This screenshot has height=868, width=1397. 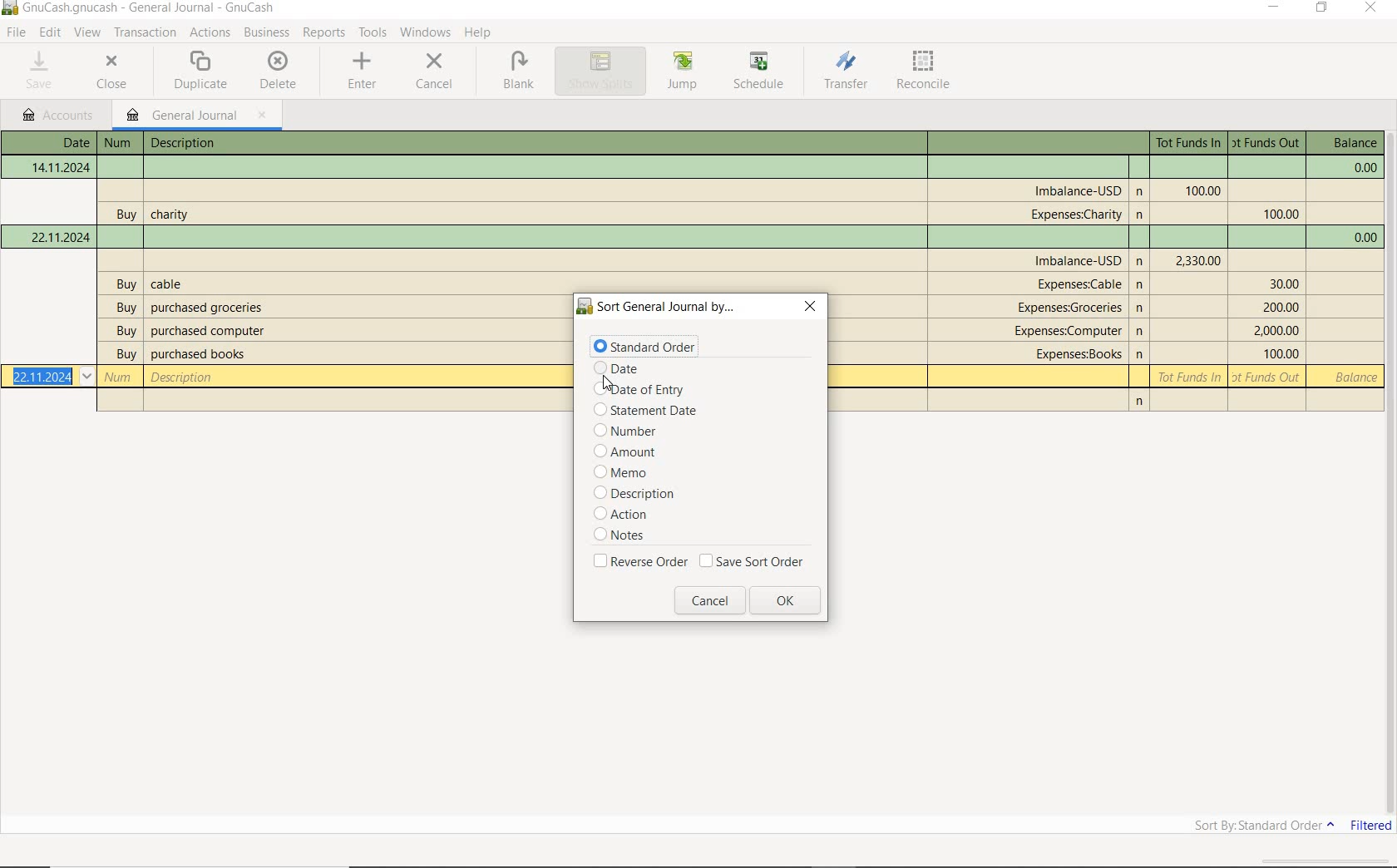 What do you see at coordinates (1389, 471) in the screenshot?
I see `SCROLLBAR` at bounding box center [1389, 471].